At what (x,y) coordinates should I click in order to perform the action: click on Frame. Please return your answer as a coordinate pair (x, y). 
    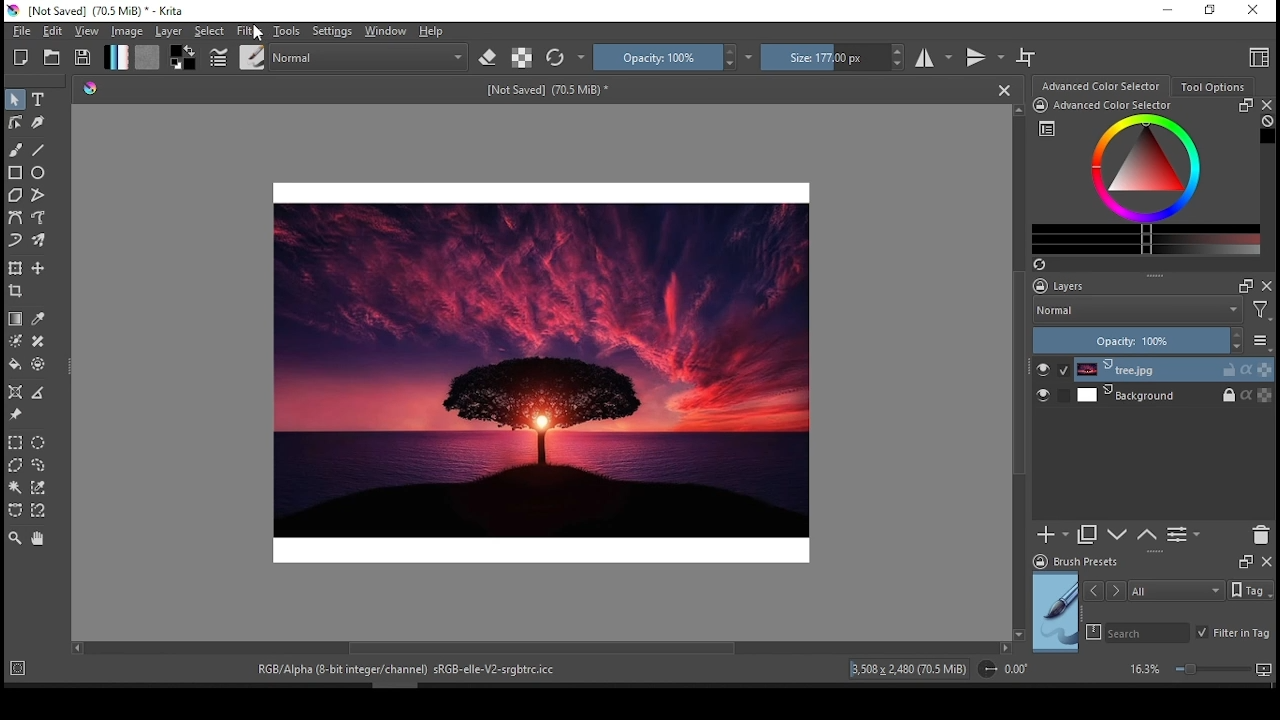
    Looking at the image, I should click on (1242, 287).